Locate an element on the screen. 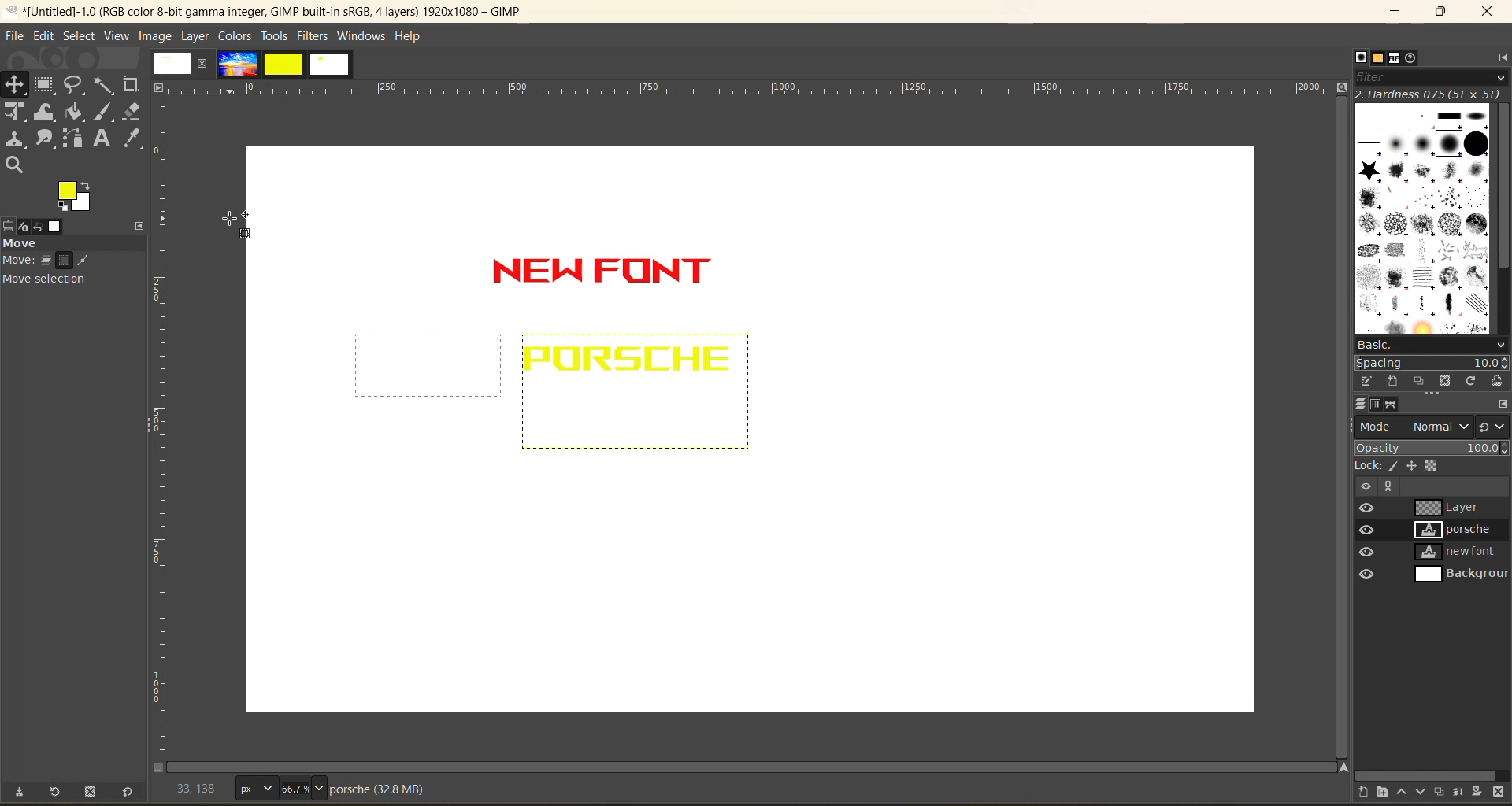  basic is located at coordinates (1432, 343).